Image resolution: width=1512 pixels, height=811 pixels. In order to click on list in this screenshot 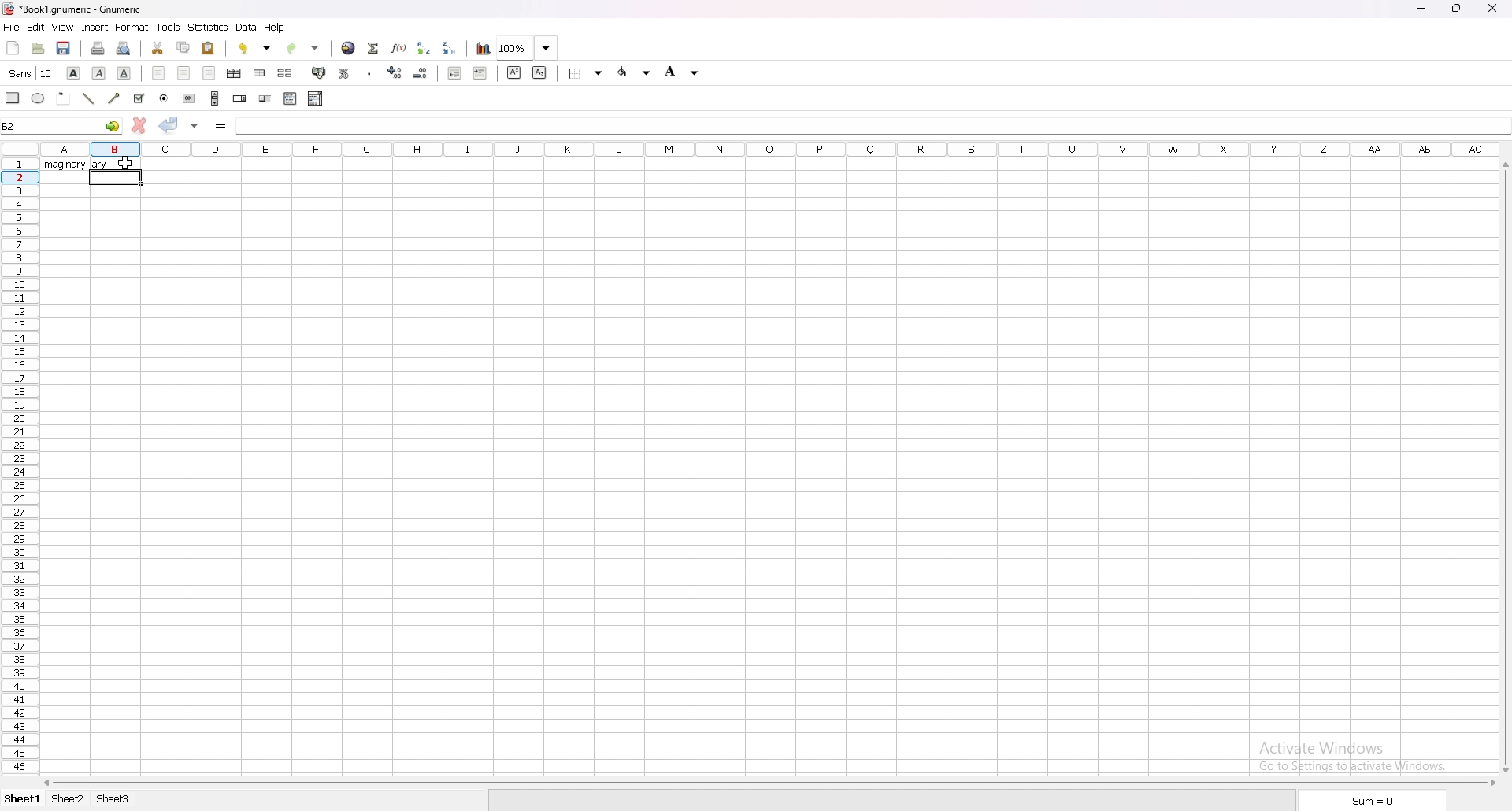, I will do `click(291, 98)`.